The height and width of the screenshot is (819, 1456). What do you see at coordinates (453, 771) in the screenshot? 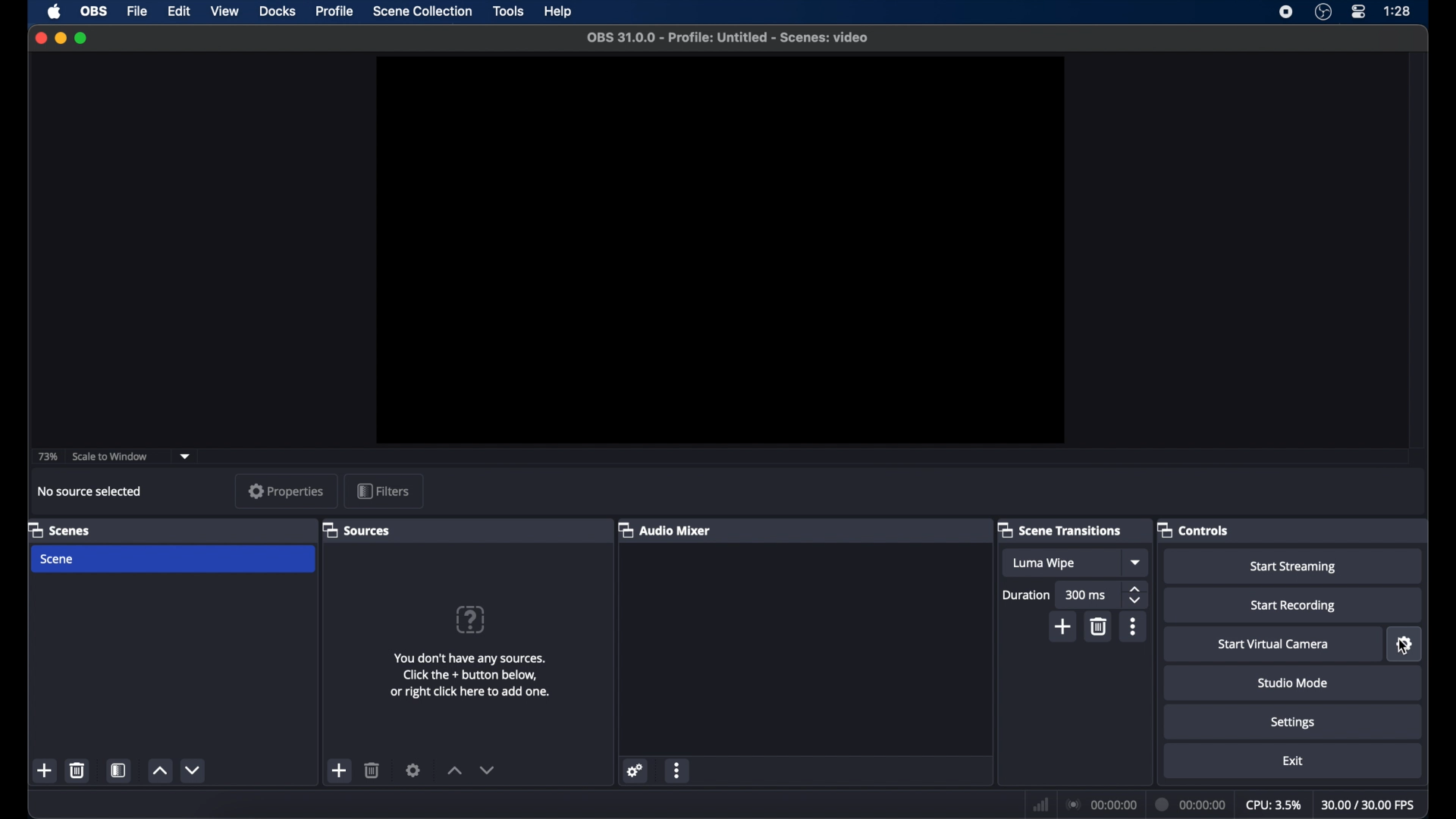
I see `increment` at bounding box center [453, 771].